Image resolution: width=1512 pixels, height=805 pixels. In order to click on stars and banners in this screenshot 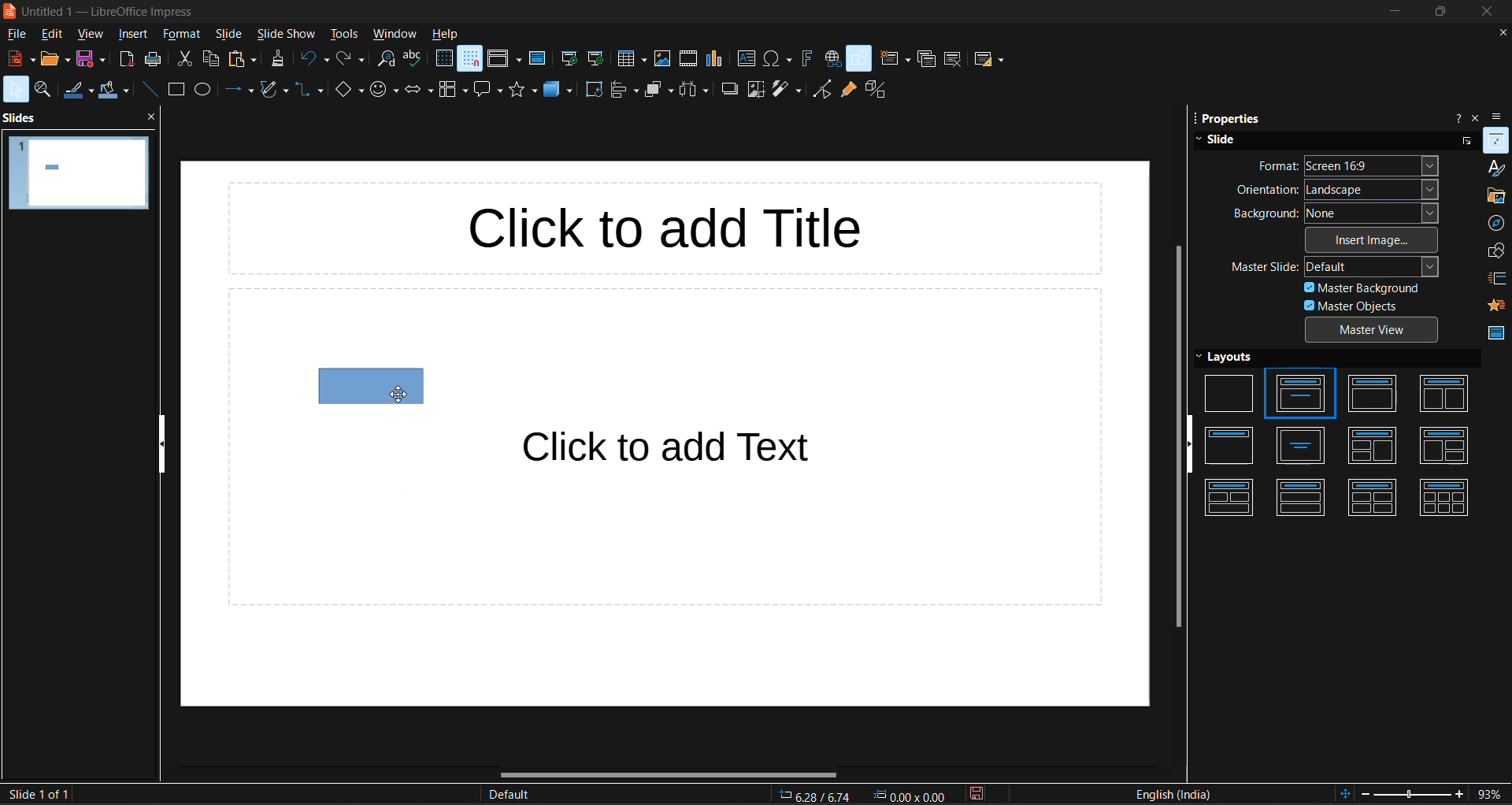, I will do `click(522, 90)`.